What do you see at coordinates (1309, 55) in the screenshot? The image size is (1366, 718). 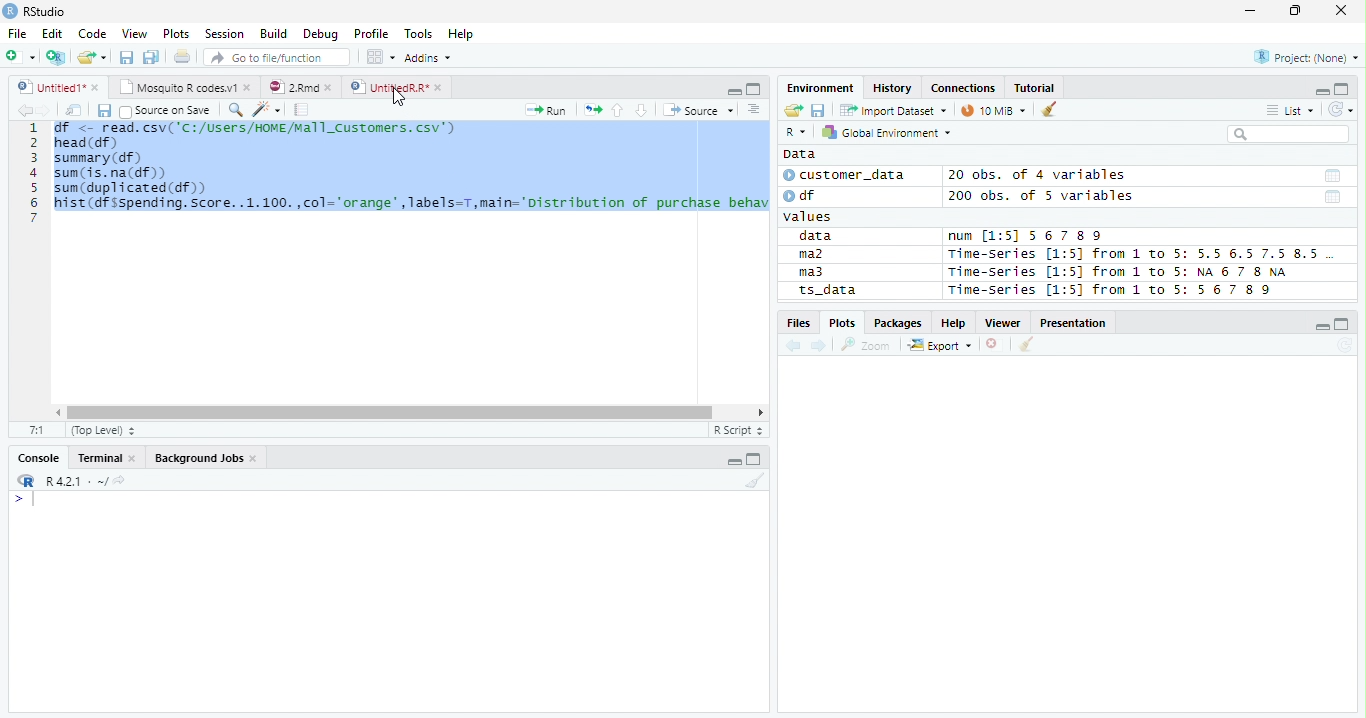 I see `Project (none)` at bounding box center [1309, 55].